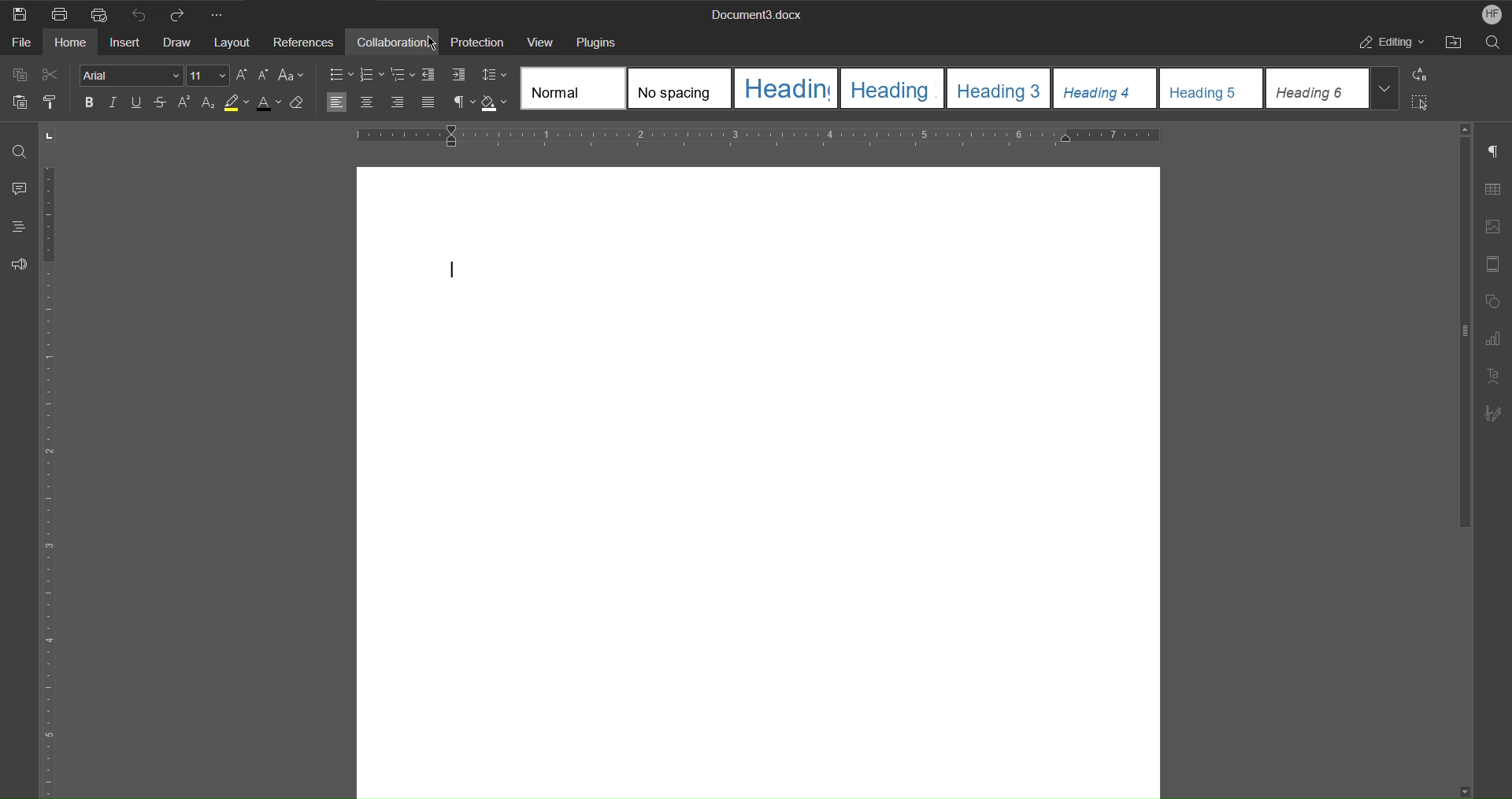 The width and height of the screenshot is (1512, 799). Describe the element at coordinates (1426, 102) in the screenshot. I see `Select All` at that location.